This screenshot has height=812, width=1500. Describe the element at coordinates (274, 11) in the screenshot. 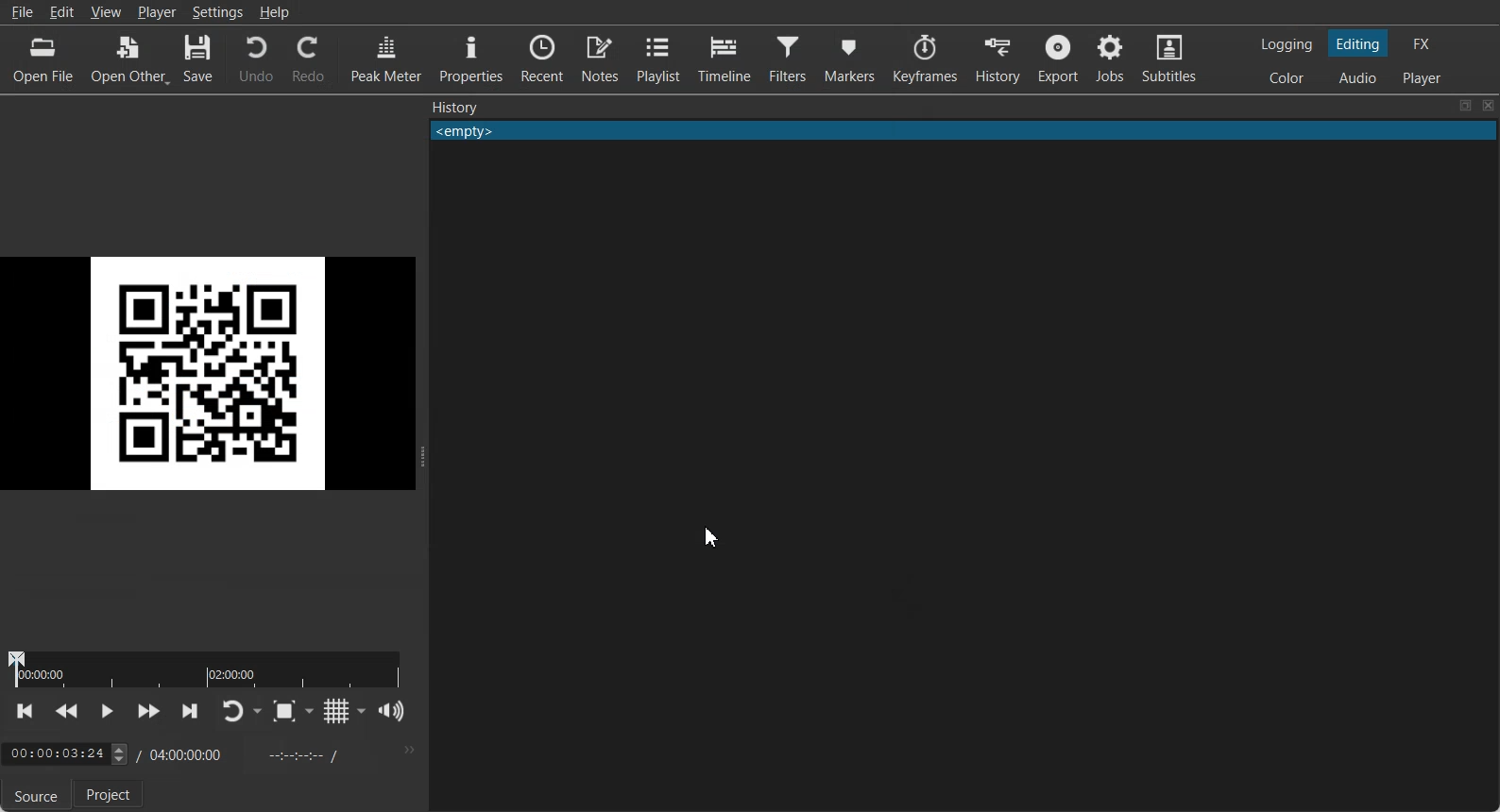

I see `Help` at that location.